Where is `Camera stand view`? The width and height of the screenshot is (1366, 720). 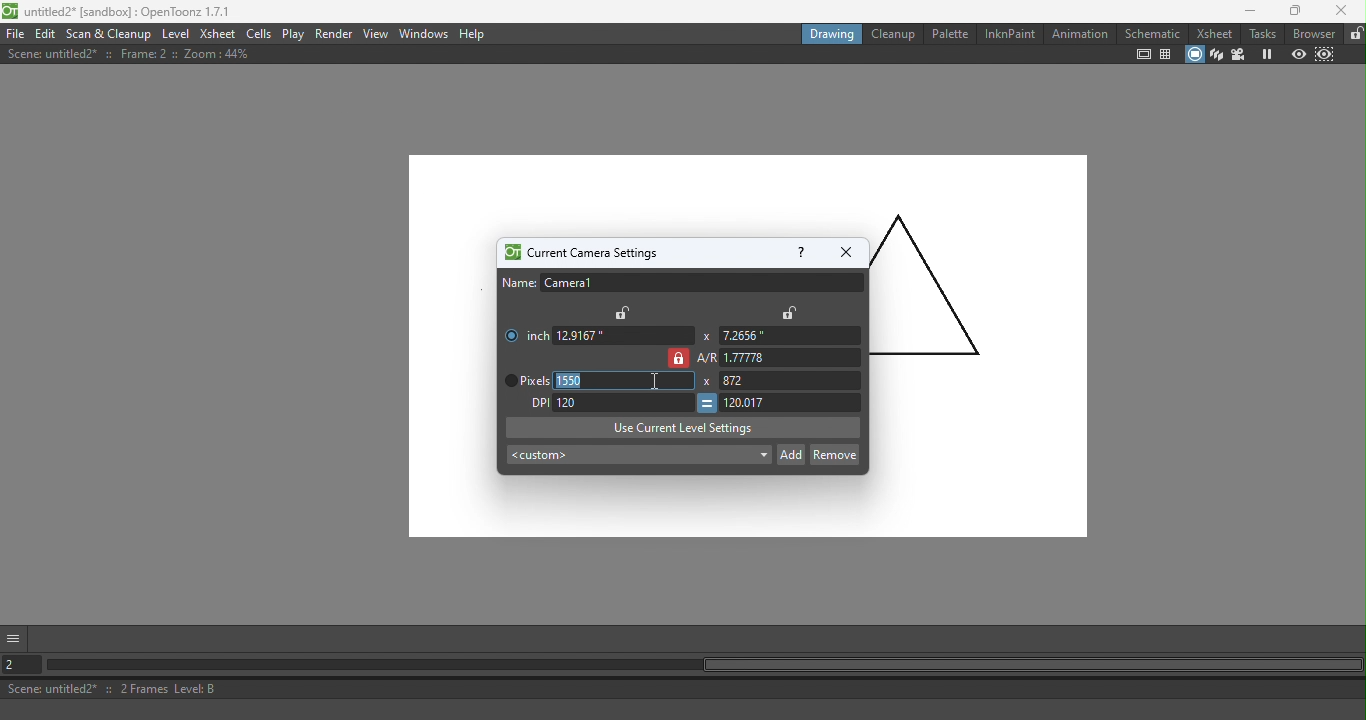
Camera stand view is located at coordinates (1193, 55).